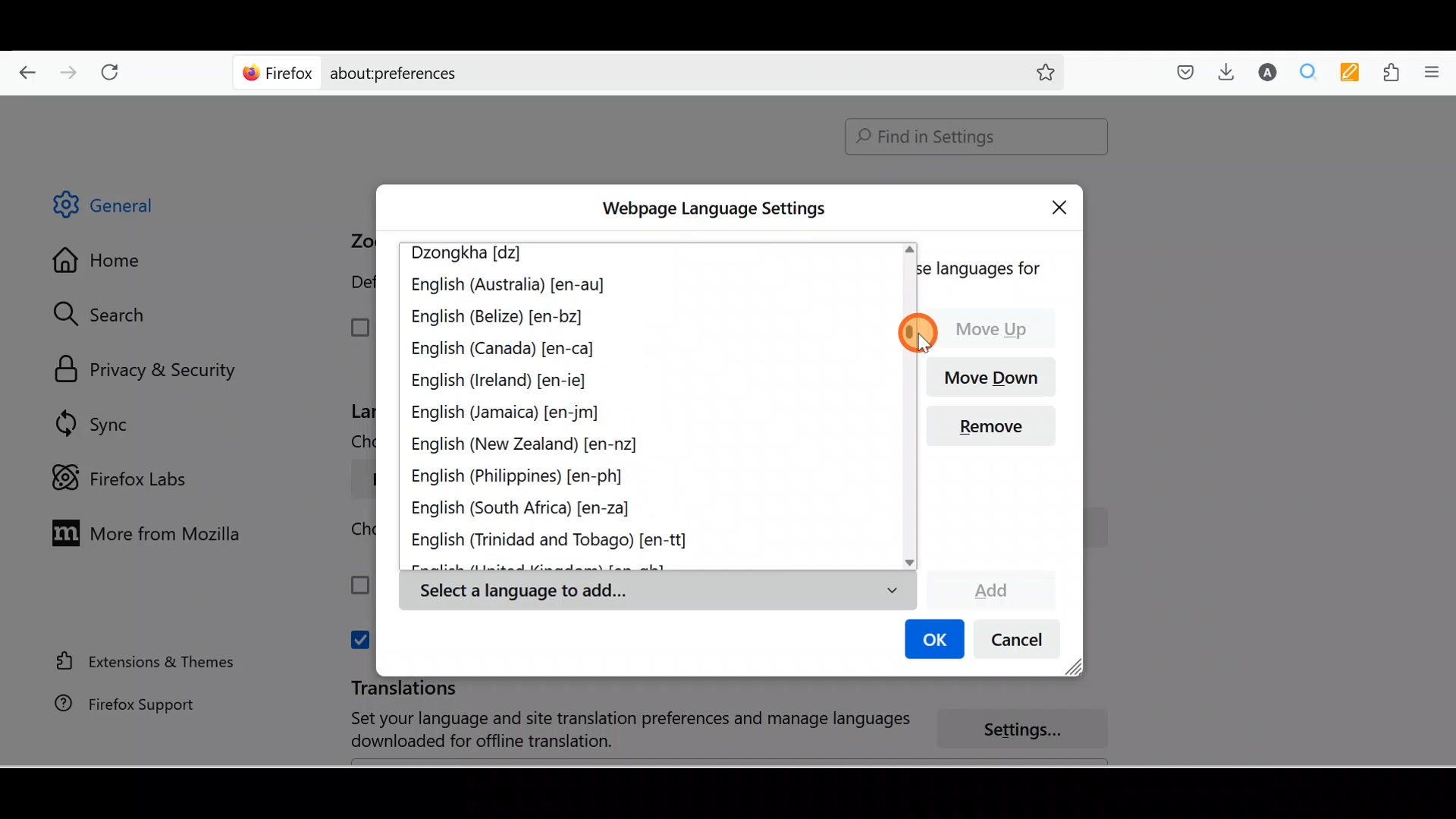  What do you see at coordinates (616, 730) in the screenshot?
I see `Set your language and site translation preferences and manage language download for offline translation.` at bounding box center [616, 730].